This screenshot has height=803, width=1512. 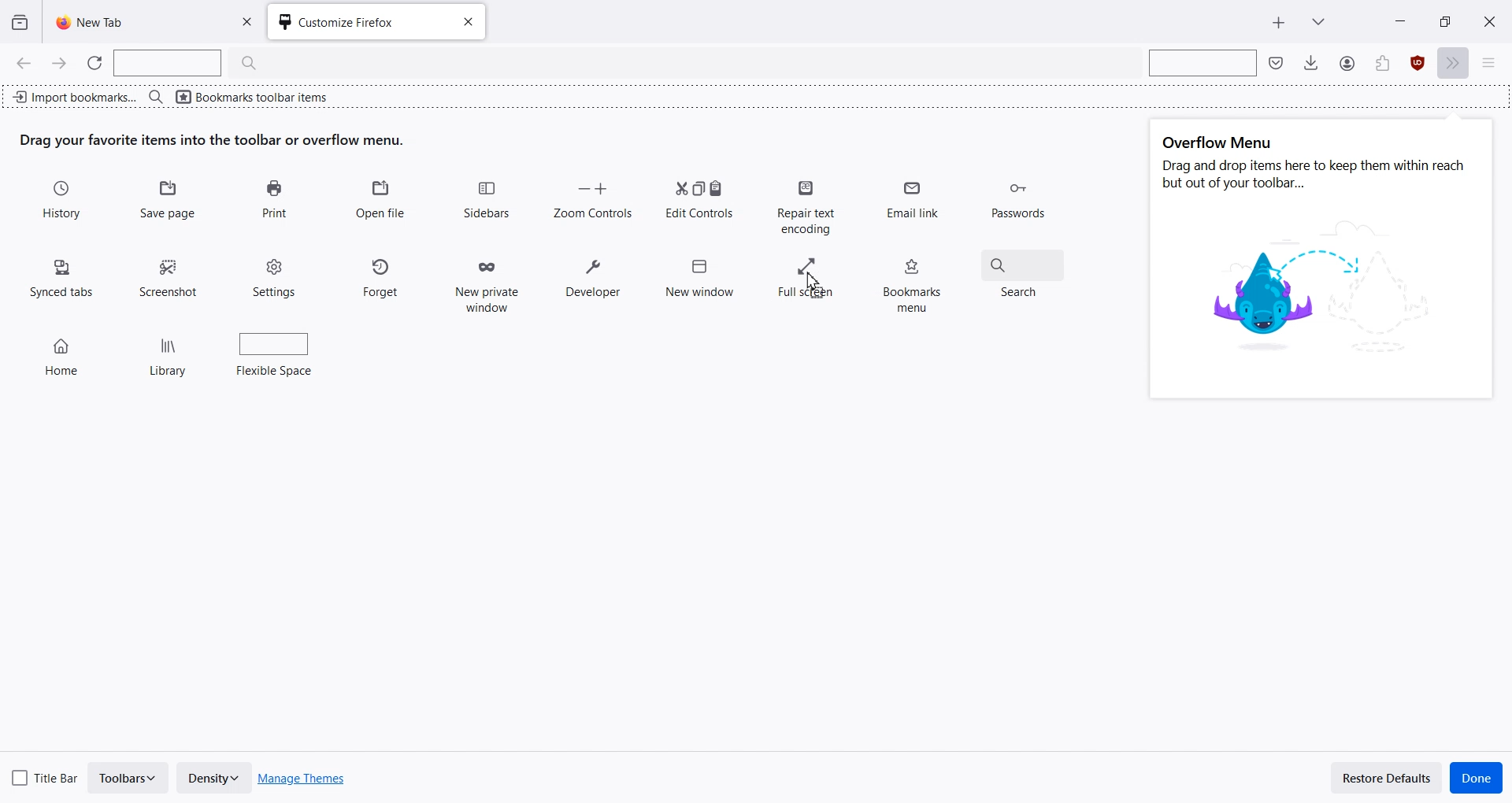 I want to click on New private window, so click(x=485, y=281).